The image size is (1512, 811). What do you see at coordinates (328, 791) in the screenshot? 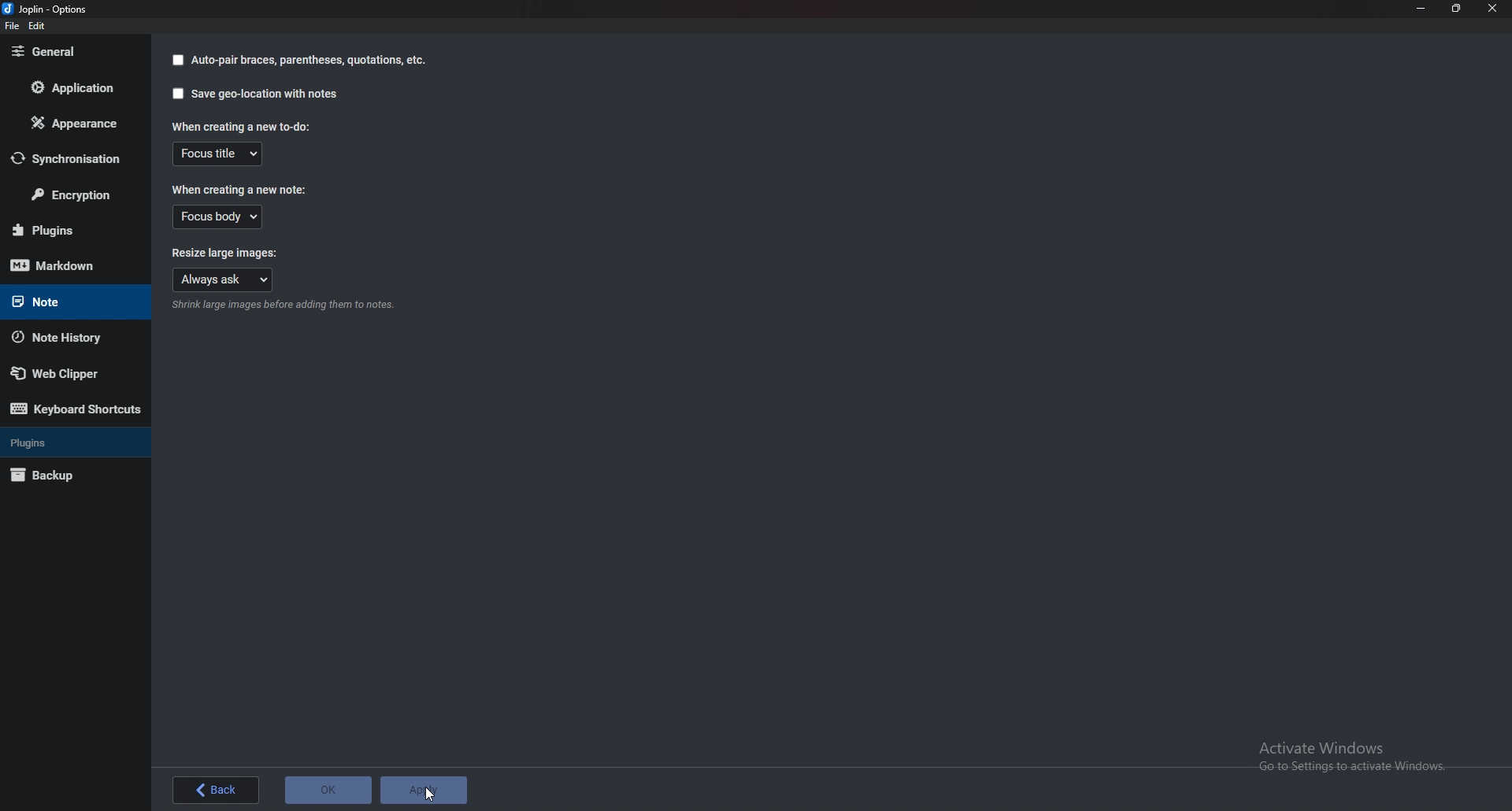
I see `o K` at bounding box center [328, 791].